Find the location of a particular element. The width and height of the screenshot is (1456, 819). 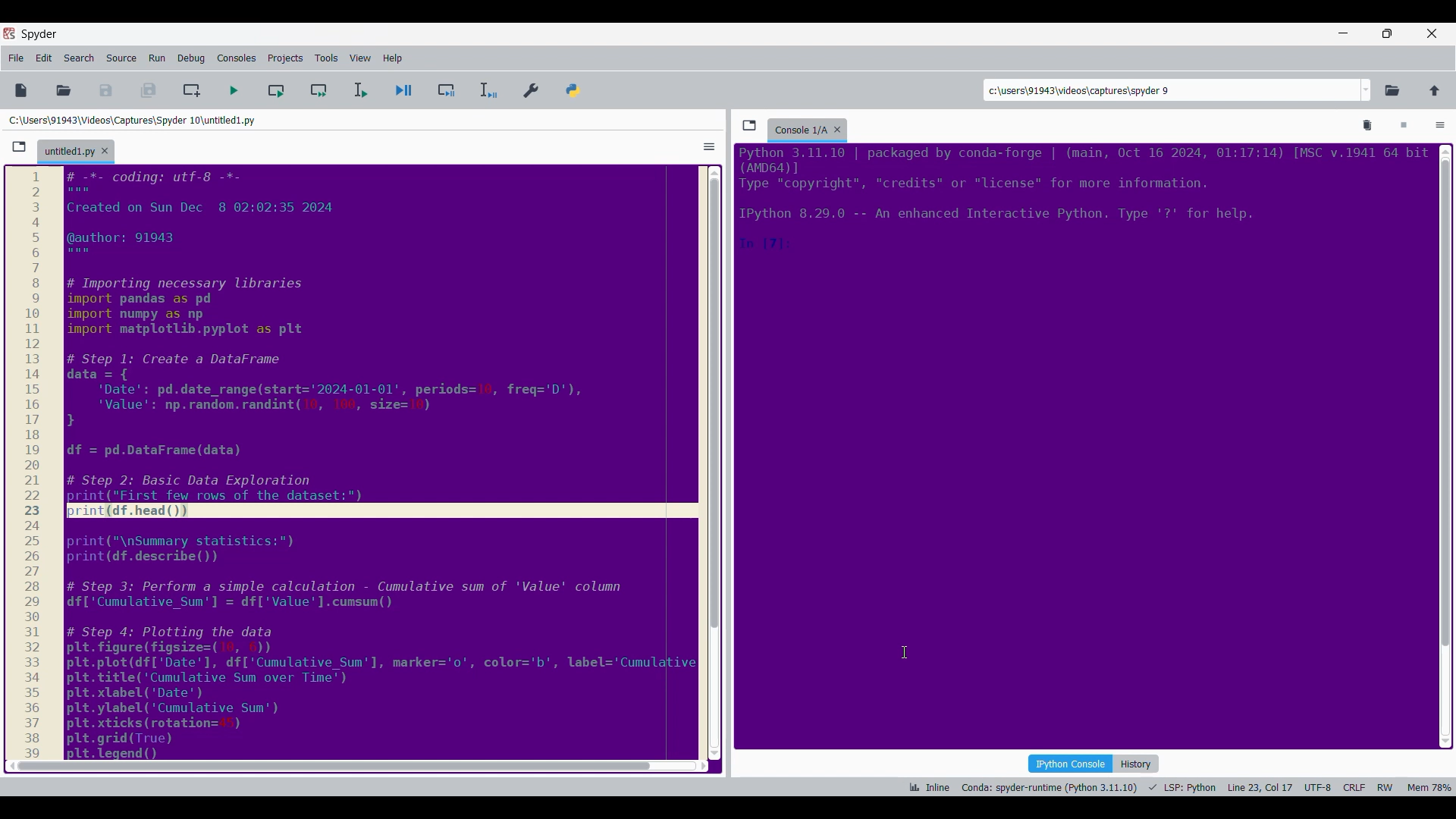

Run selection/current line is located at coordinates (359, 90).